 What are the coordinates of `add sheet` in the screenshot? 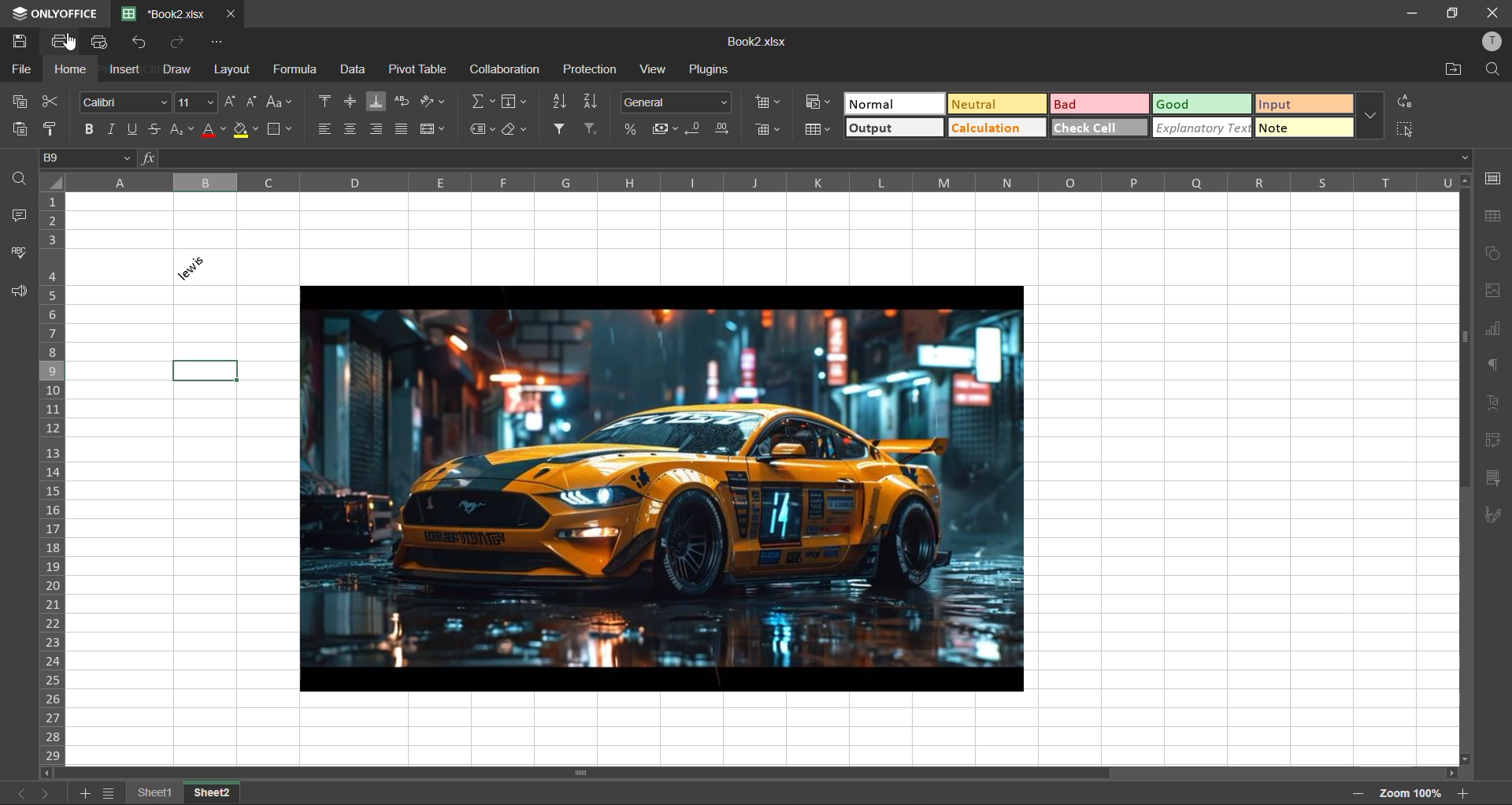 It's located at (83, 795).